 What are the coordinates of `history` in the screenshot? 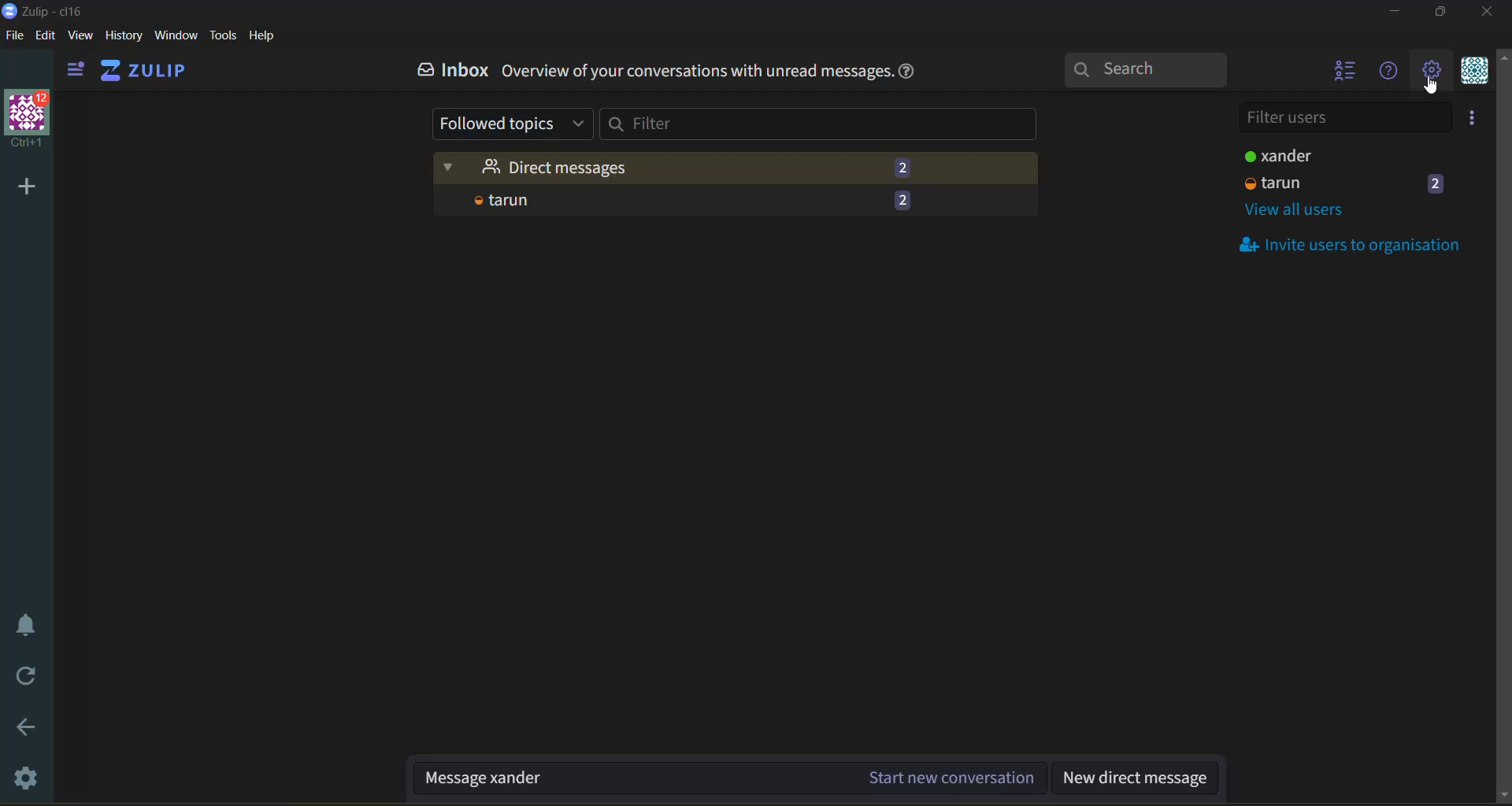 It's located at (124, 38).